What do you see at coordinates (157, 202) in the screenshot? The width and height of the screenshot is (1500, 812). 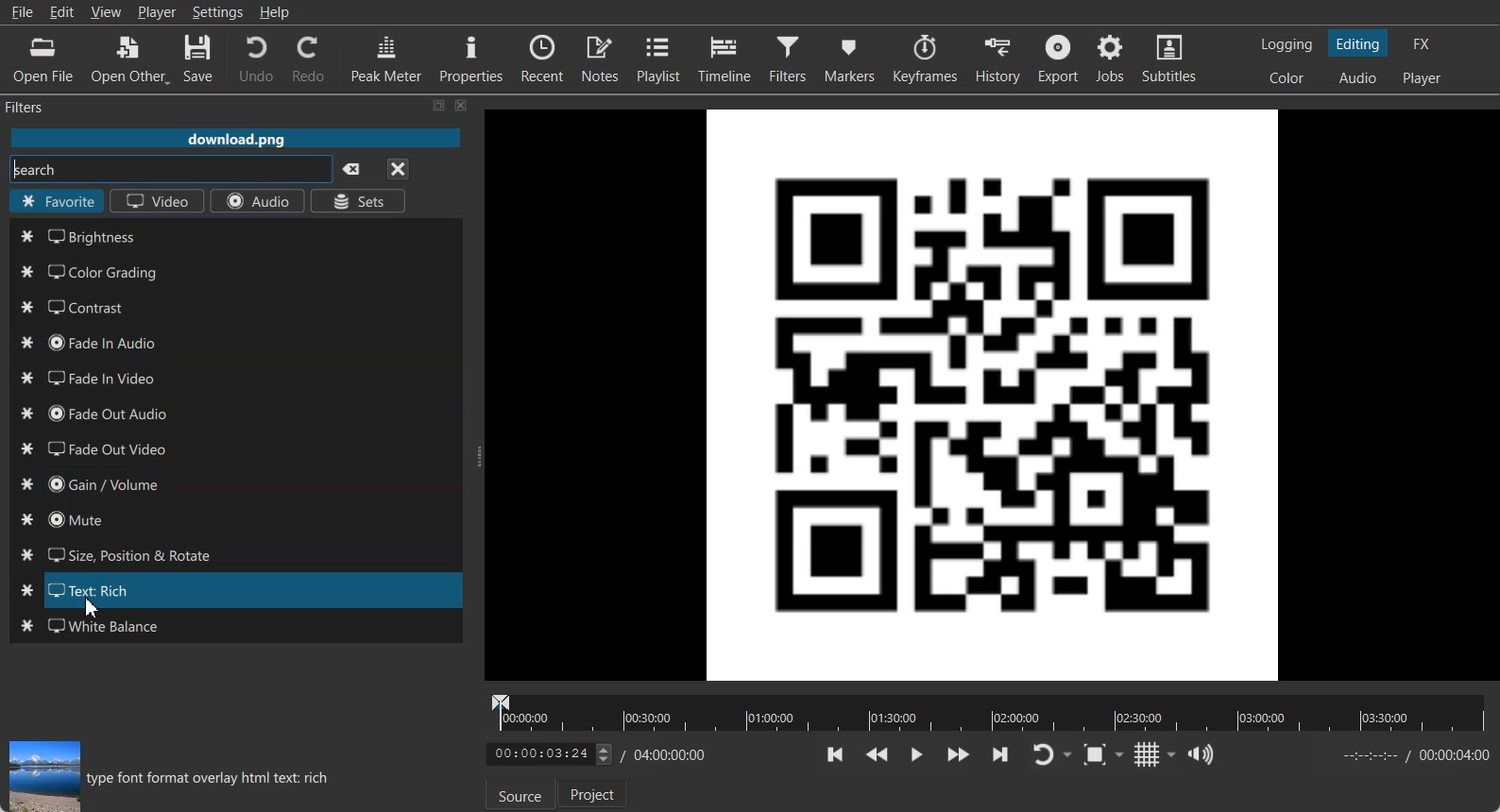 I see `Video` at bounding box center [157, 202].